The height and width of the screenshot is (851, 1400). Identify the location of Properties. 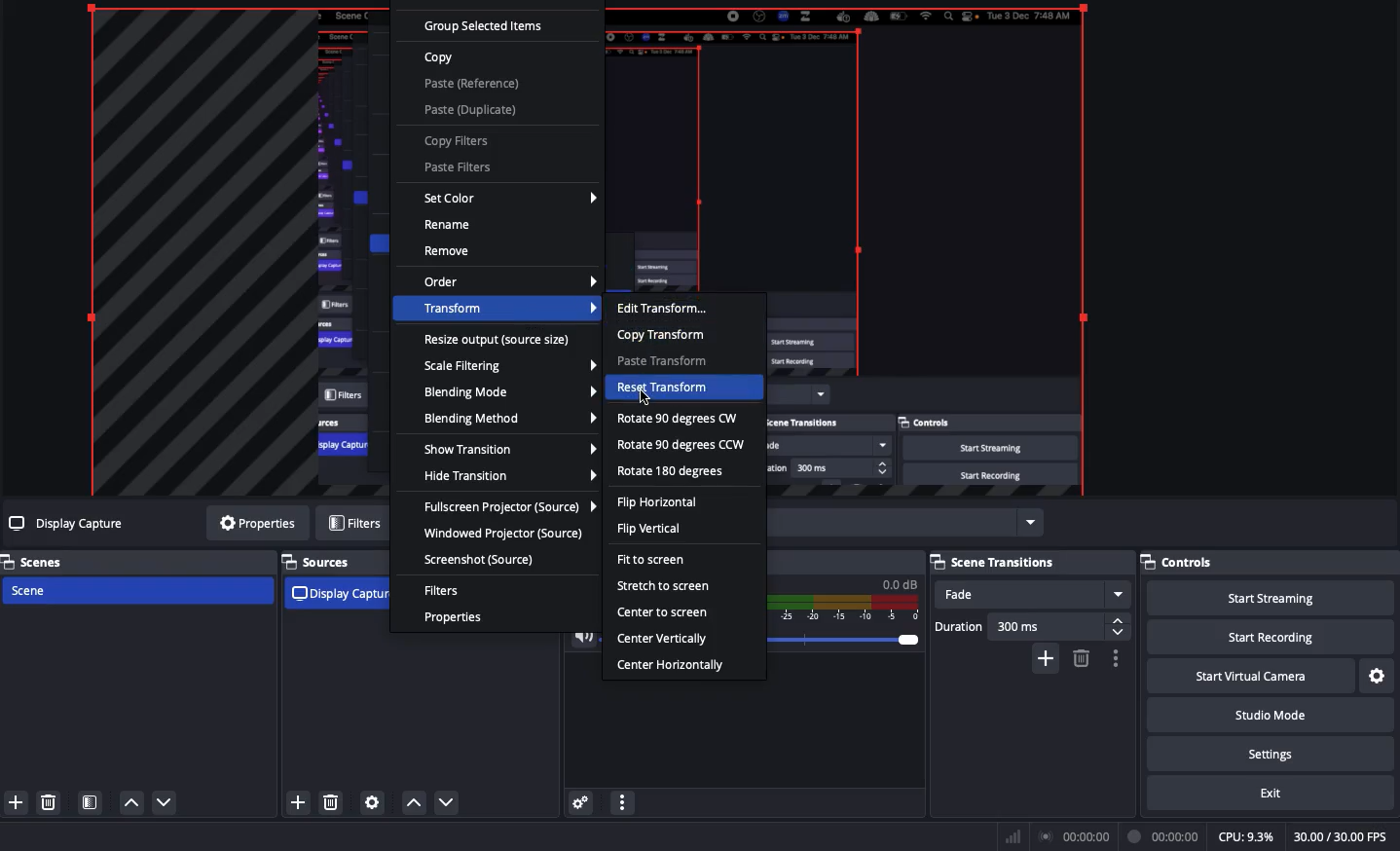
(457, 618).